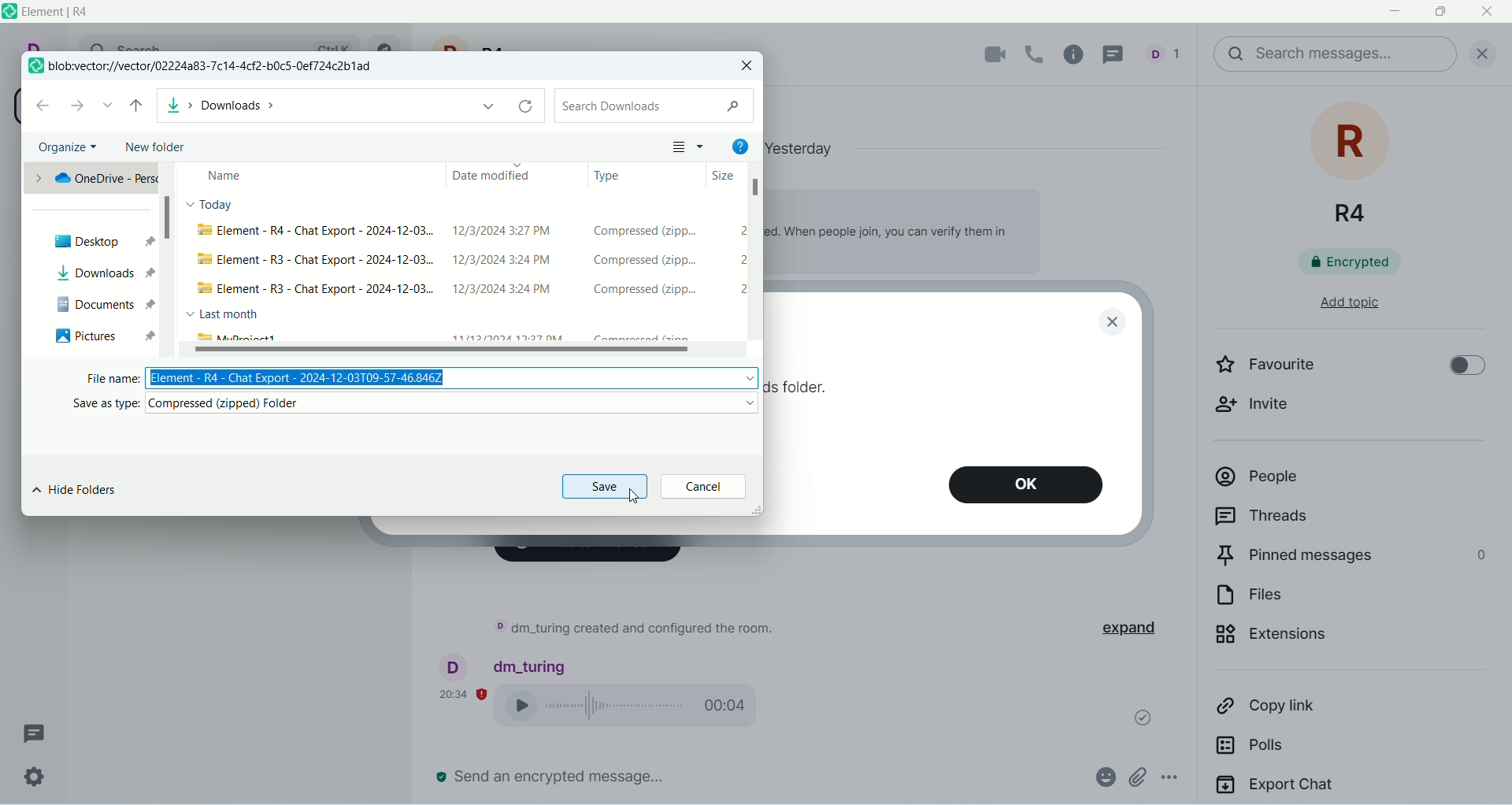  What do you see at coordinates (706, 487) in the screenshot?
I see `cancel` at bounding box center [706, 487].